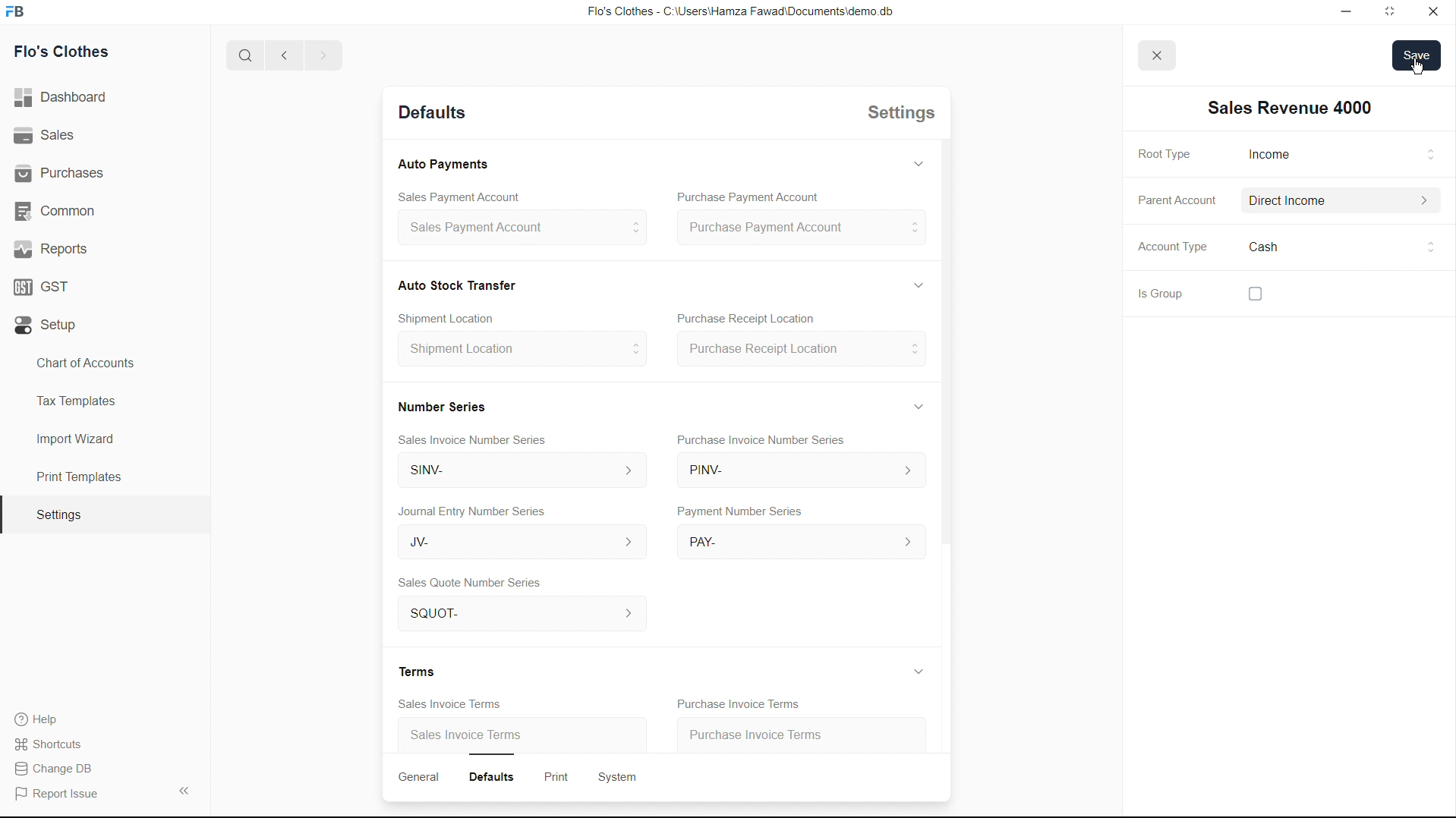 Image resolution: width=1456 pixels, height=818 pixels. What do you see at coordinates (918, 405) in the screenshot?
I see `Hide ` at bounding box center [918, 405].